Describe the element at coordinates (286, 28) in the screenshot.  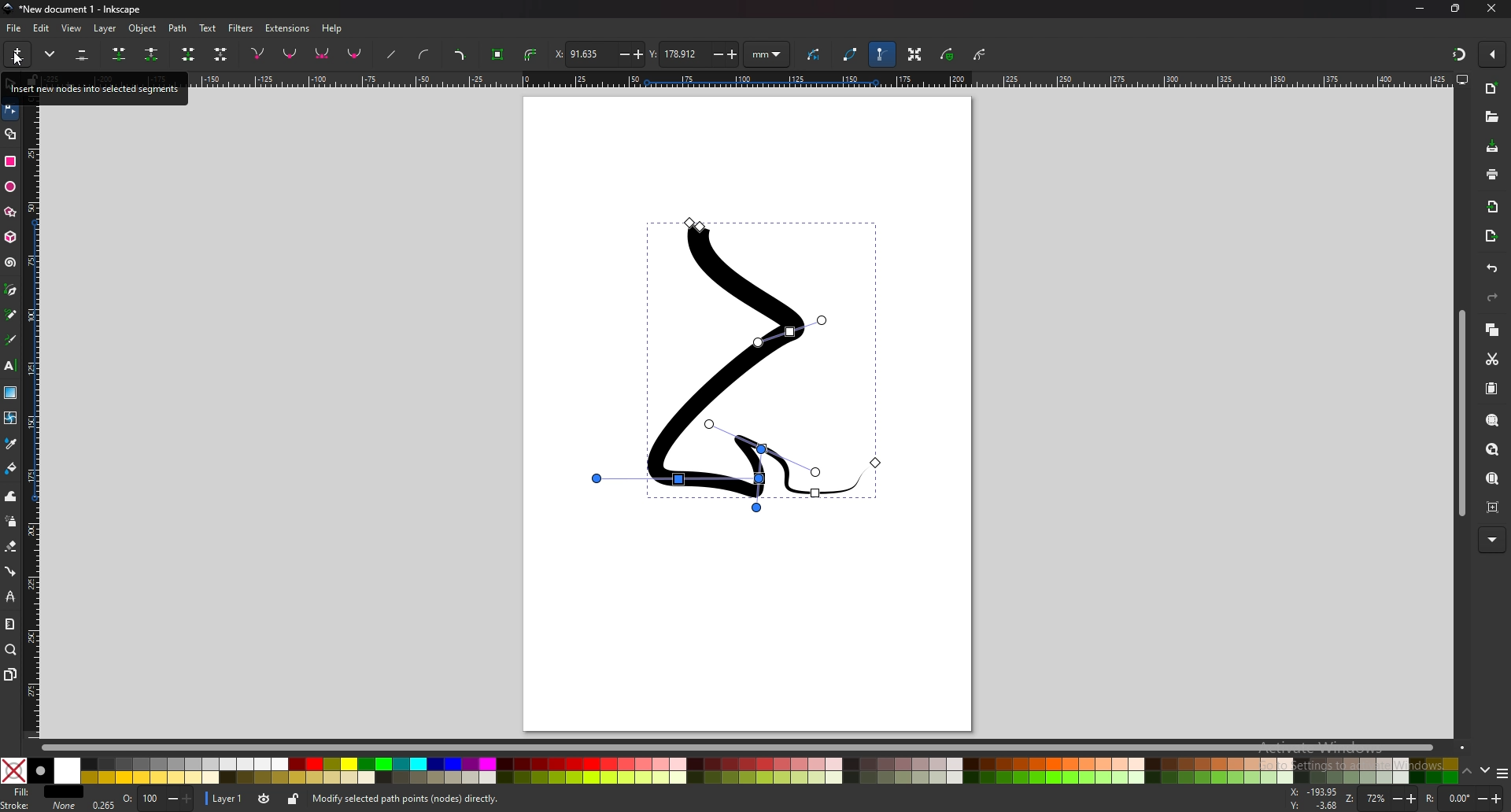
I see `extensions` at that location.